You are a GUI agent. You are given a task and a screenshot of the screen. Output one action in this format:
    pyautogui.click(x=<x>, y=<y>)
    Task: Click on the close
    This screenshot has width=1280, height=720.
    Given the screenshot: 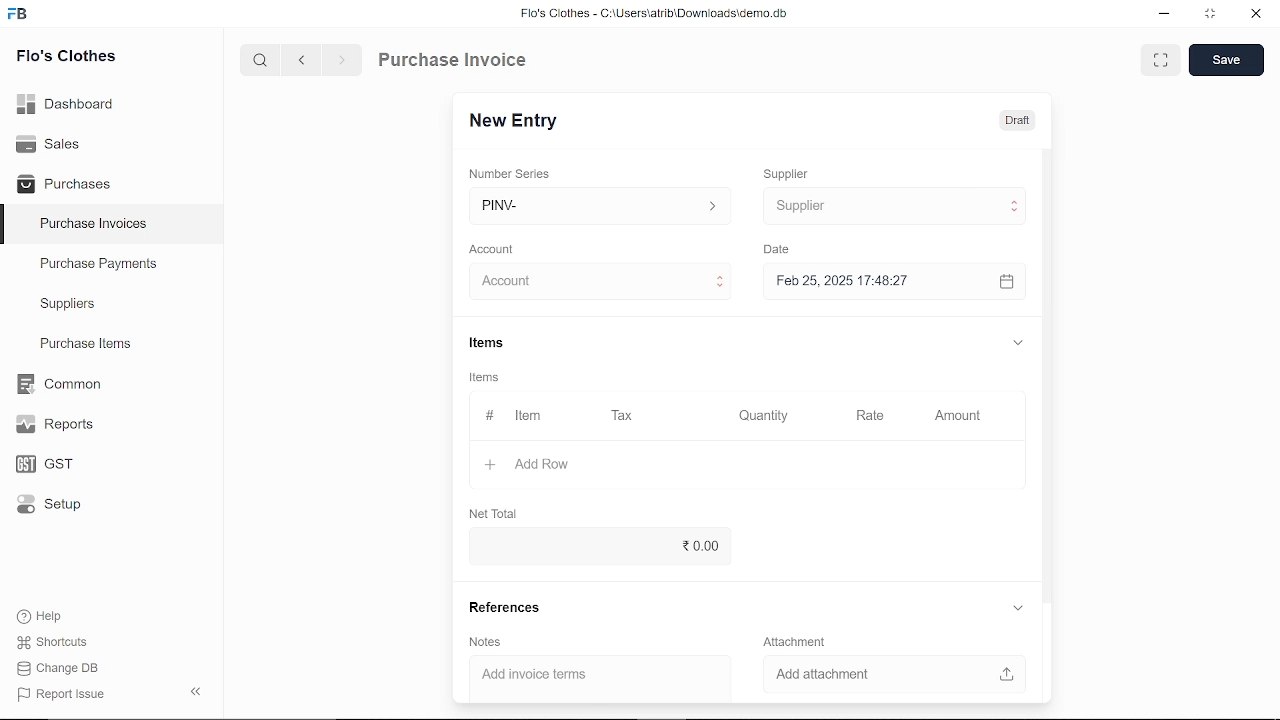 What is the action you would take?
    pyautogui.click(x=1254, y=16)
    